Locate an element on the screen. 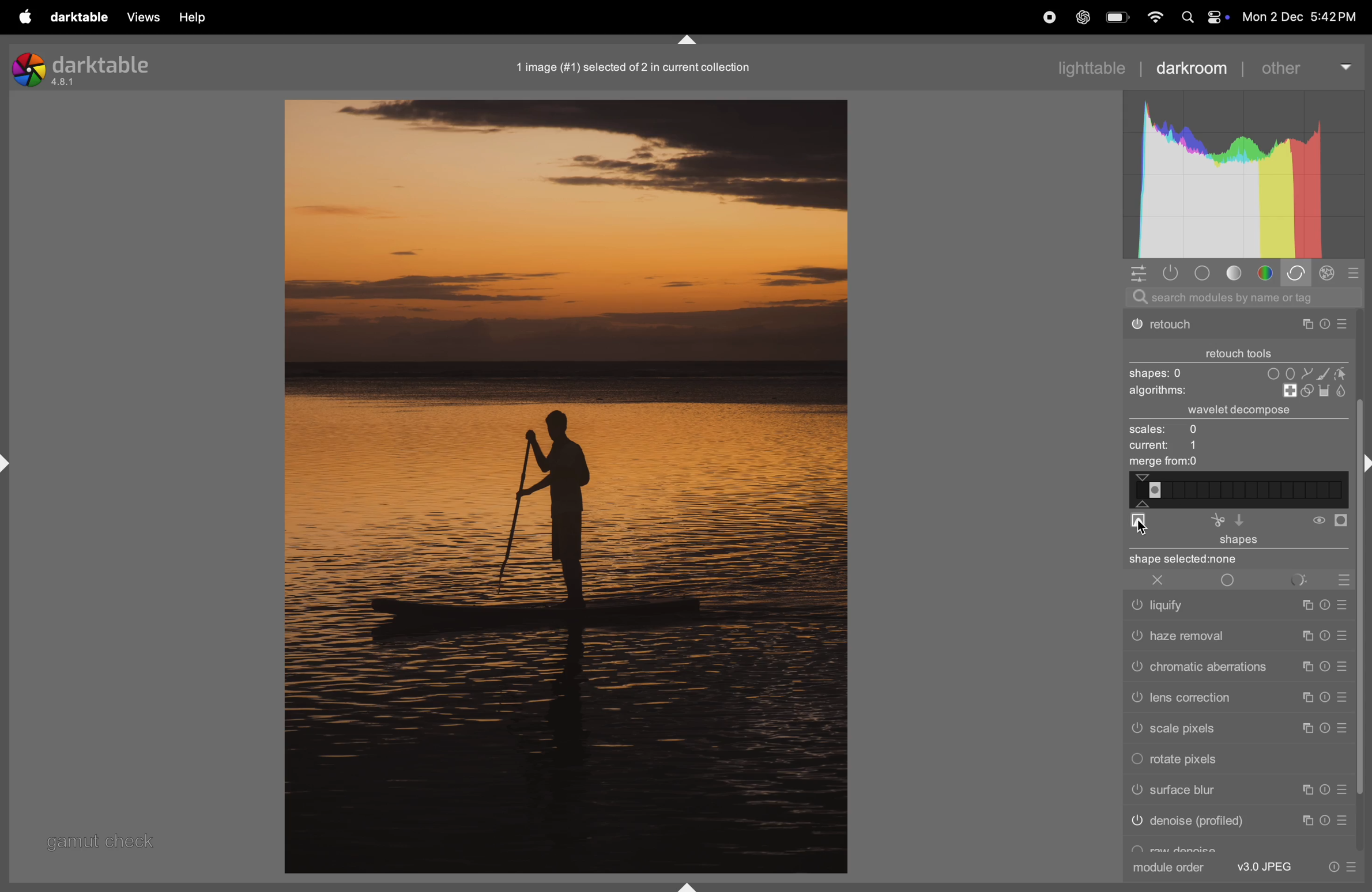 The height and width of the screenshot is (892, 1372). apple widgets is located at coordinates (1201, 17).